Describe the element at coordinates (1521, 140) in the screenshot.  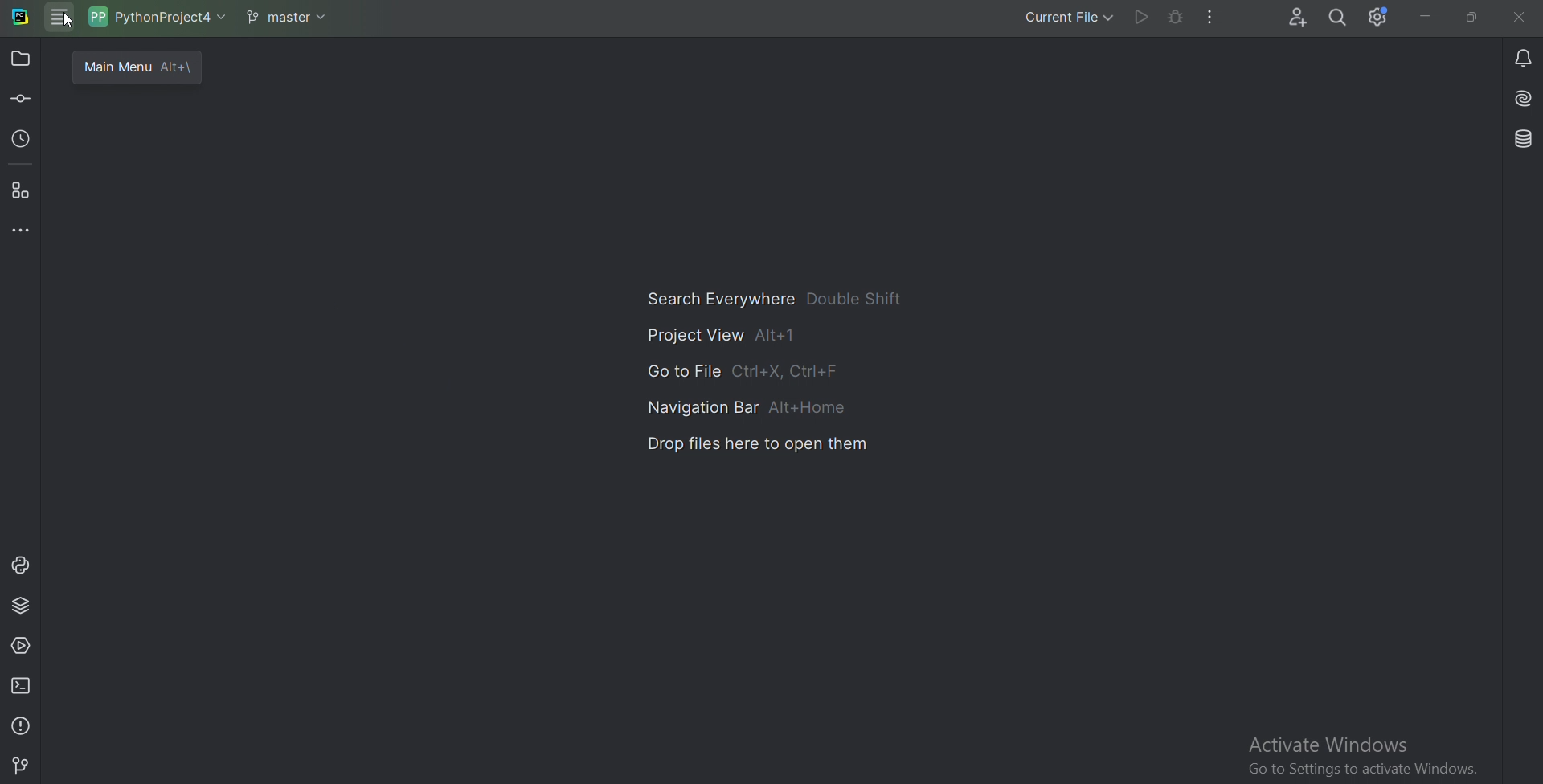
I see `Database` at that location.